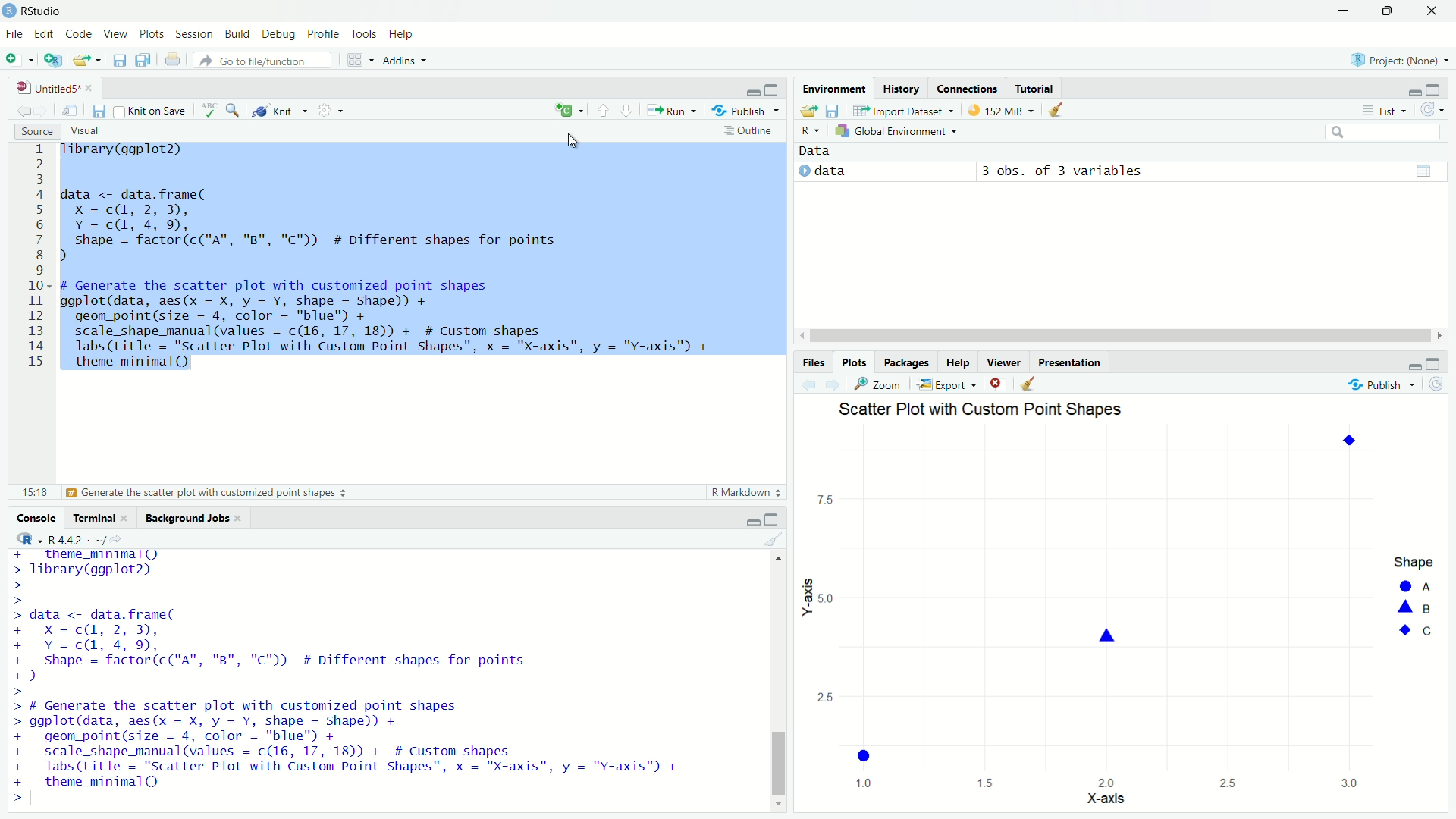 The width and height of the screenshot is (1456, 819). I want to click on Global Environment, so click(896, 132).